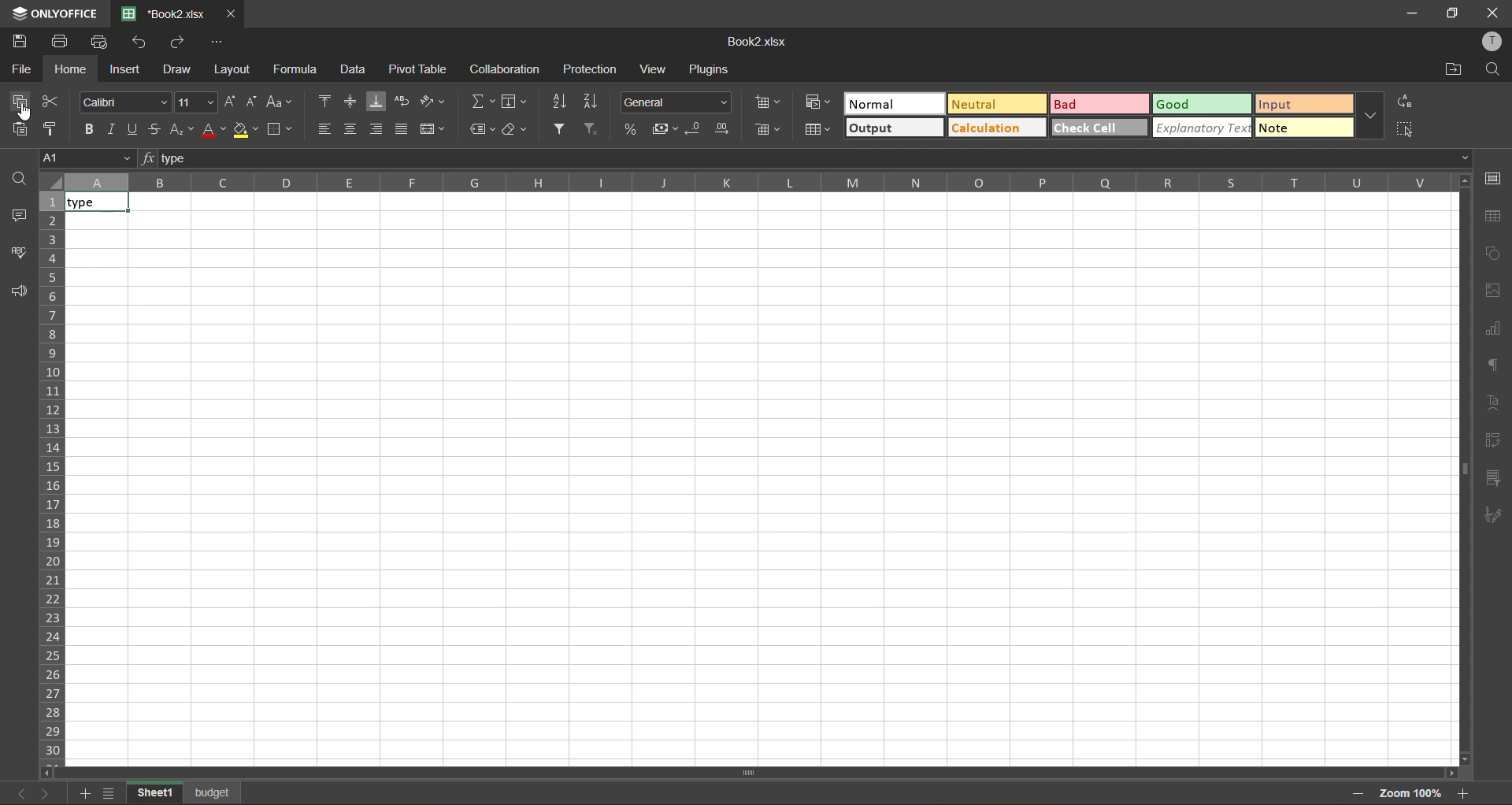 The image size is (1512, 805). I want to click on named ranges, so click(478, 127).